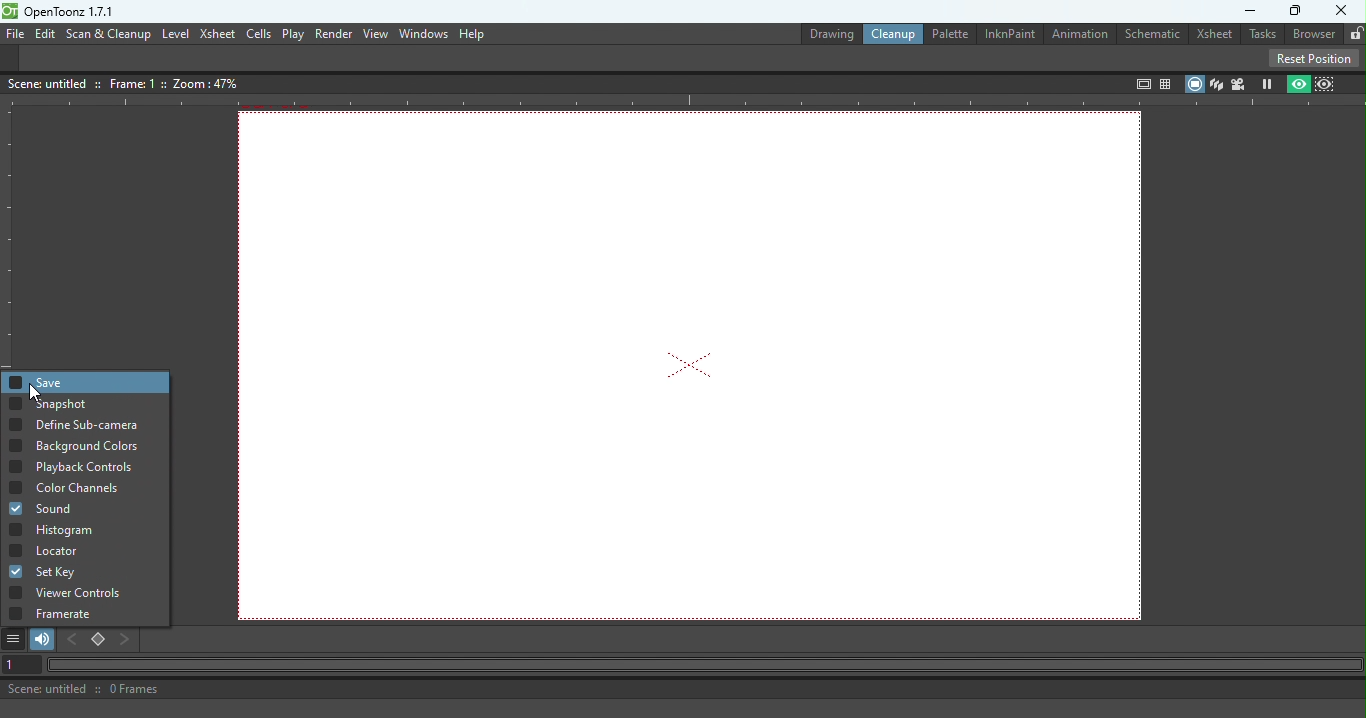  What do you see at coordinates (1082, 35) in the screenshot?
I see `Animation` at bounding box center [1082, 35].